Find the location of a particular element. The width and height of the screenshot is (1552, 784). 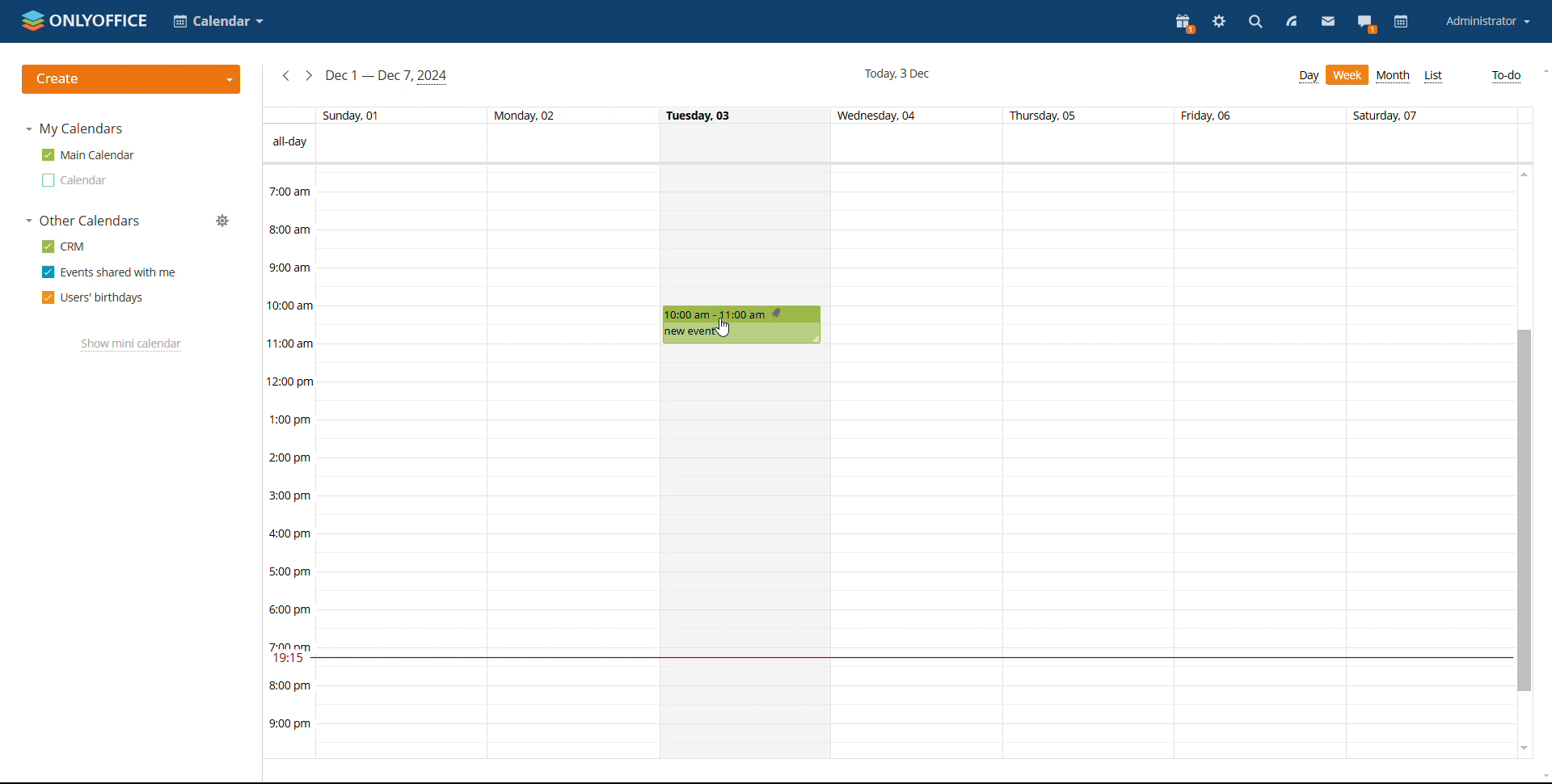

Month is located at coordinates (1394, 76).